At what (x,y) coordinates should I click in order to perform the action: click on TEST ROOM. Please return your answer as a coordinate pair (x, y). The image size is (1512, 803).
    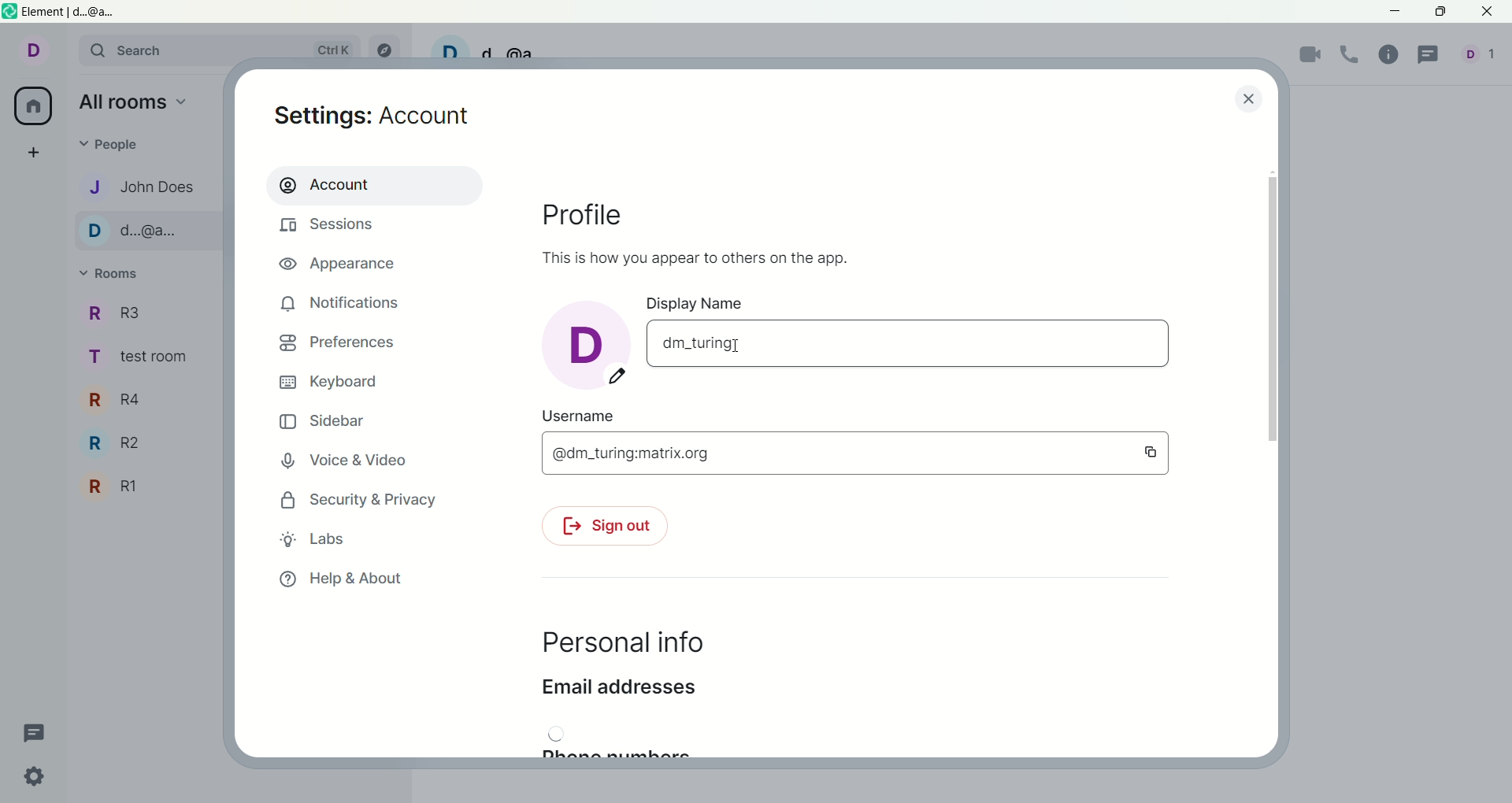
    Looking at the image, I should click on (145, 361).